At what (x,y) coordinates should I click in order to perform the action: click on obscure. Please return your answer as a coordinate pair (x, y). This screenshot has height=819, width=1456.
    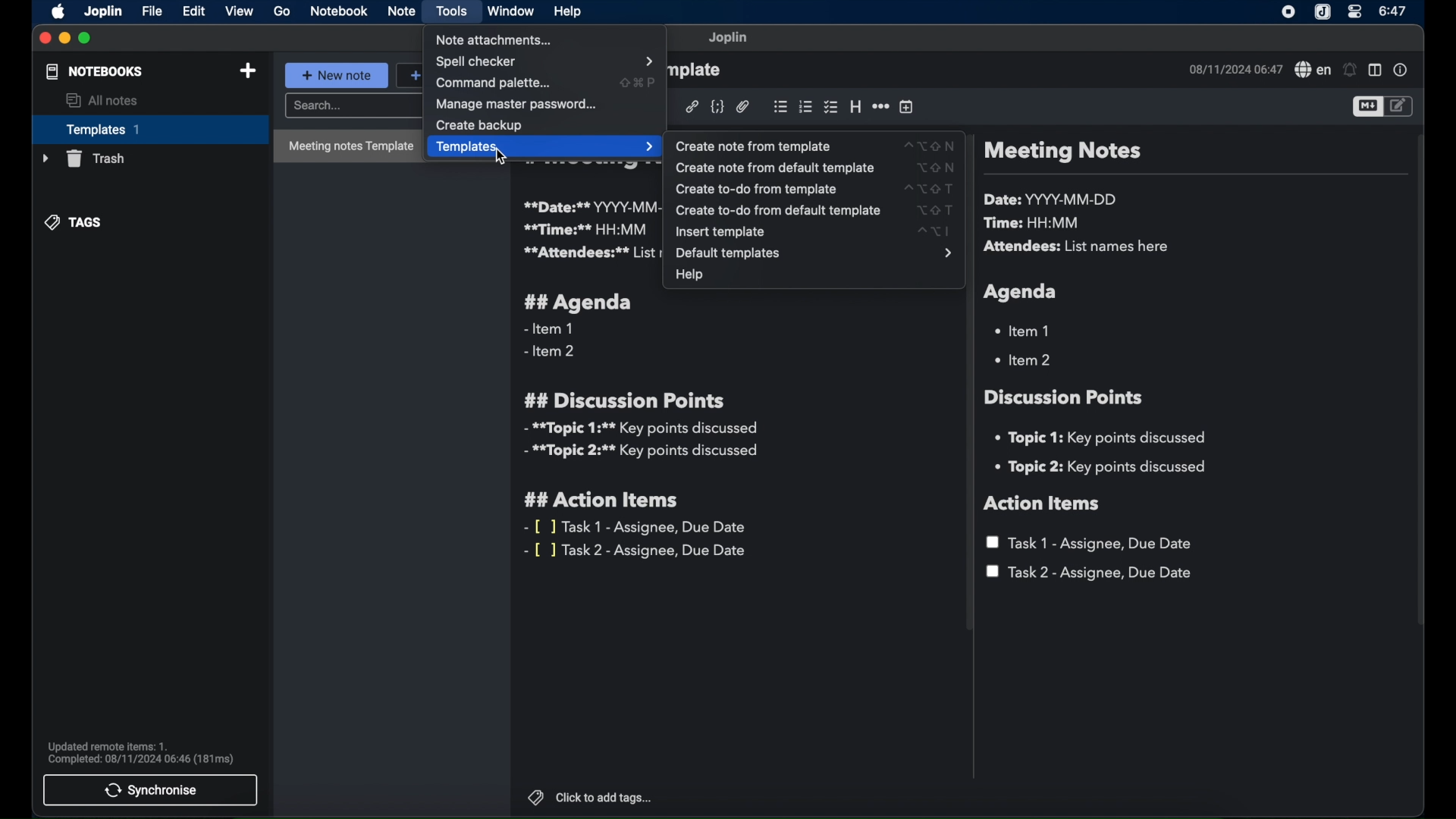
    Looking at the image, I should click on (697, 71).